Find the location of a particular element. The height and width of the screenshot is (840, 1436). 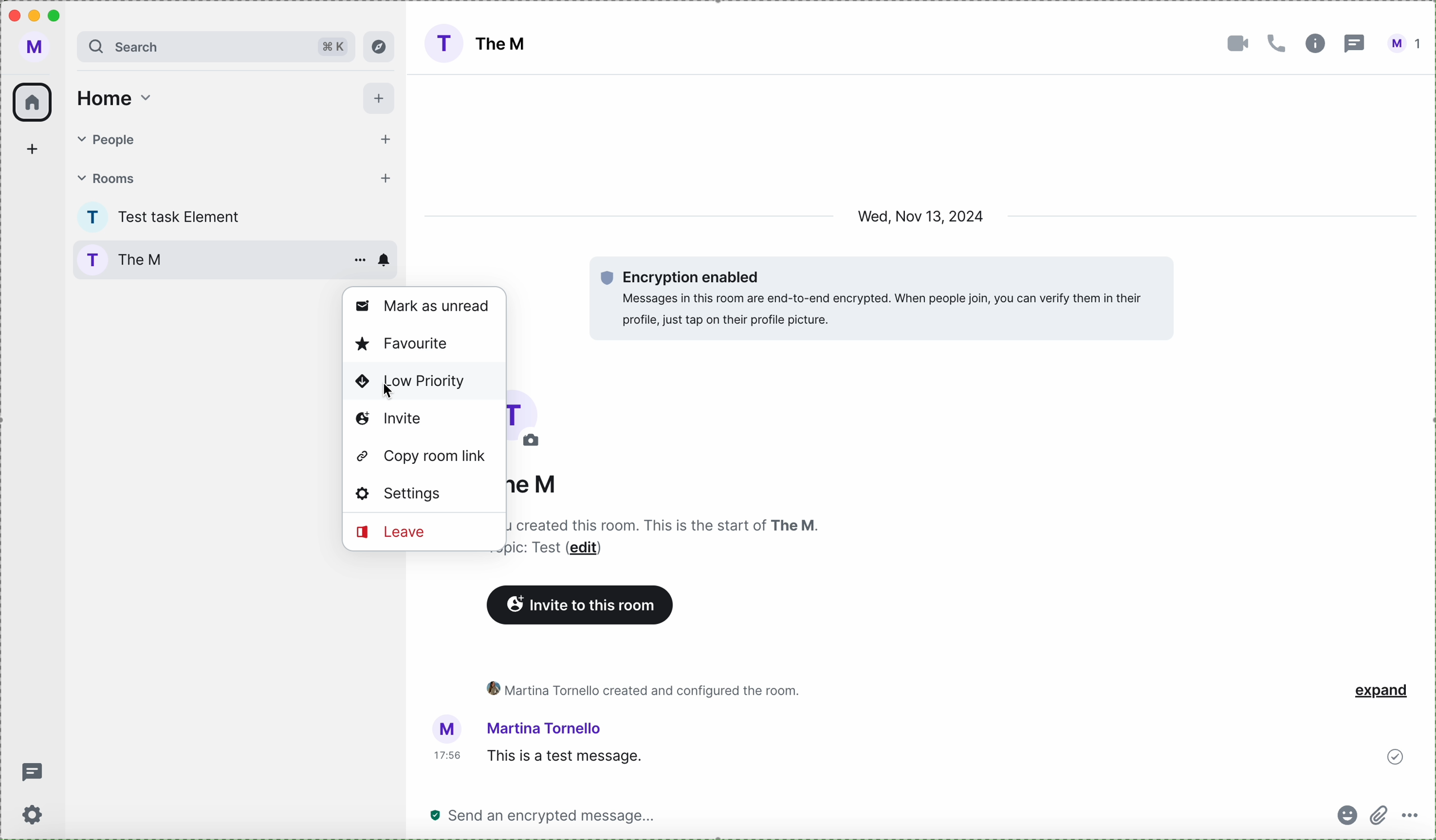

send a message is located at coordinates (546, 815).